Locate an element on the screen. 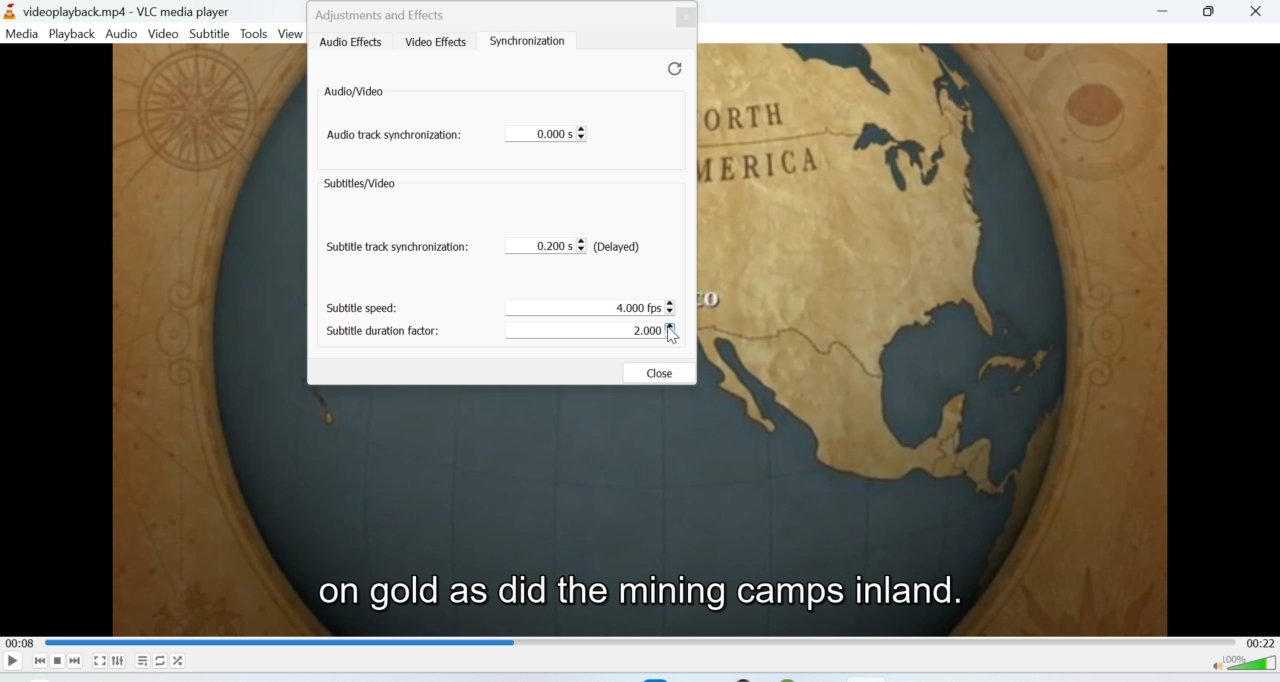 Image resolution: width=1280 pixels, height=682 pixels. Playback is located at coordinates (72, 34).